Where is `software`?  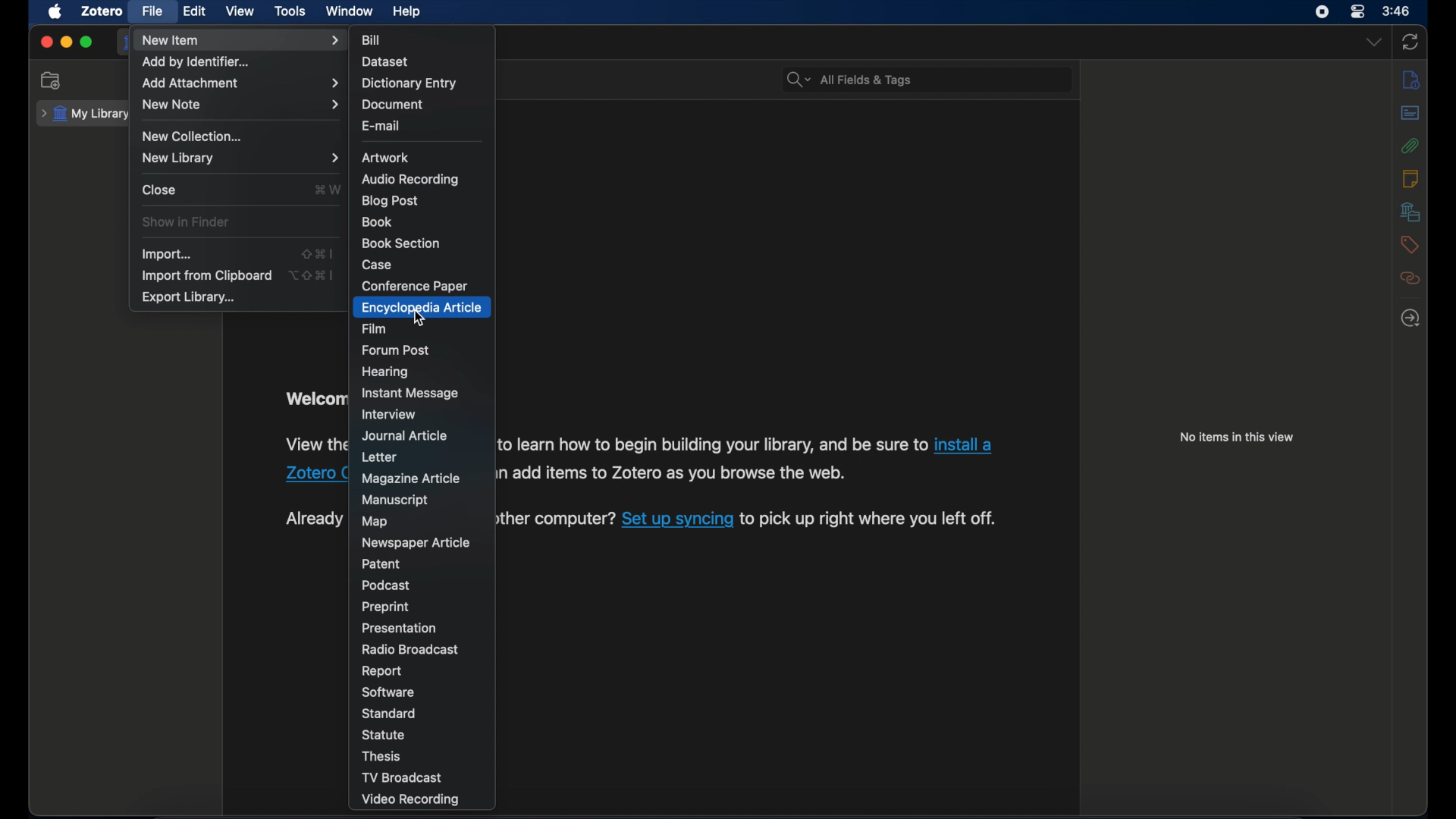
software is located at coordinates (388, 693).